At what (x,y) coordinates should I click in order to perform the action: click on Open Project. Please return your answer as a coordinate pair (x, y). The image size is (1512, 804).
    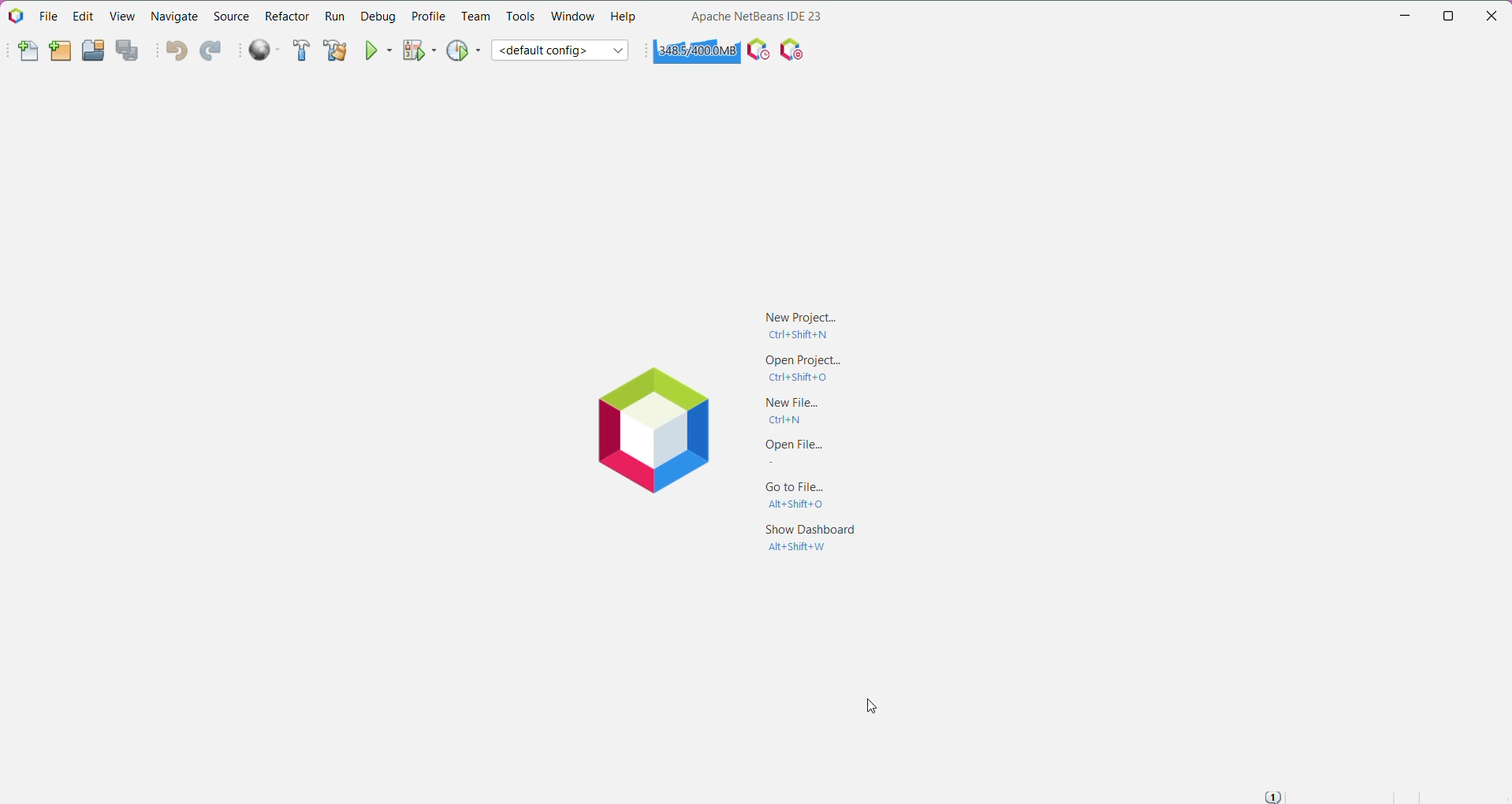
    Looking at the image, I should click on (92, 50).